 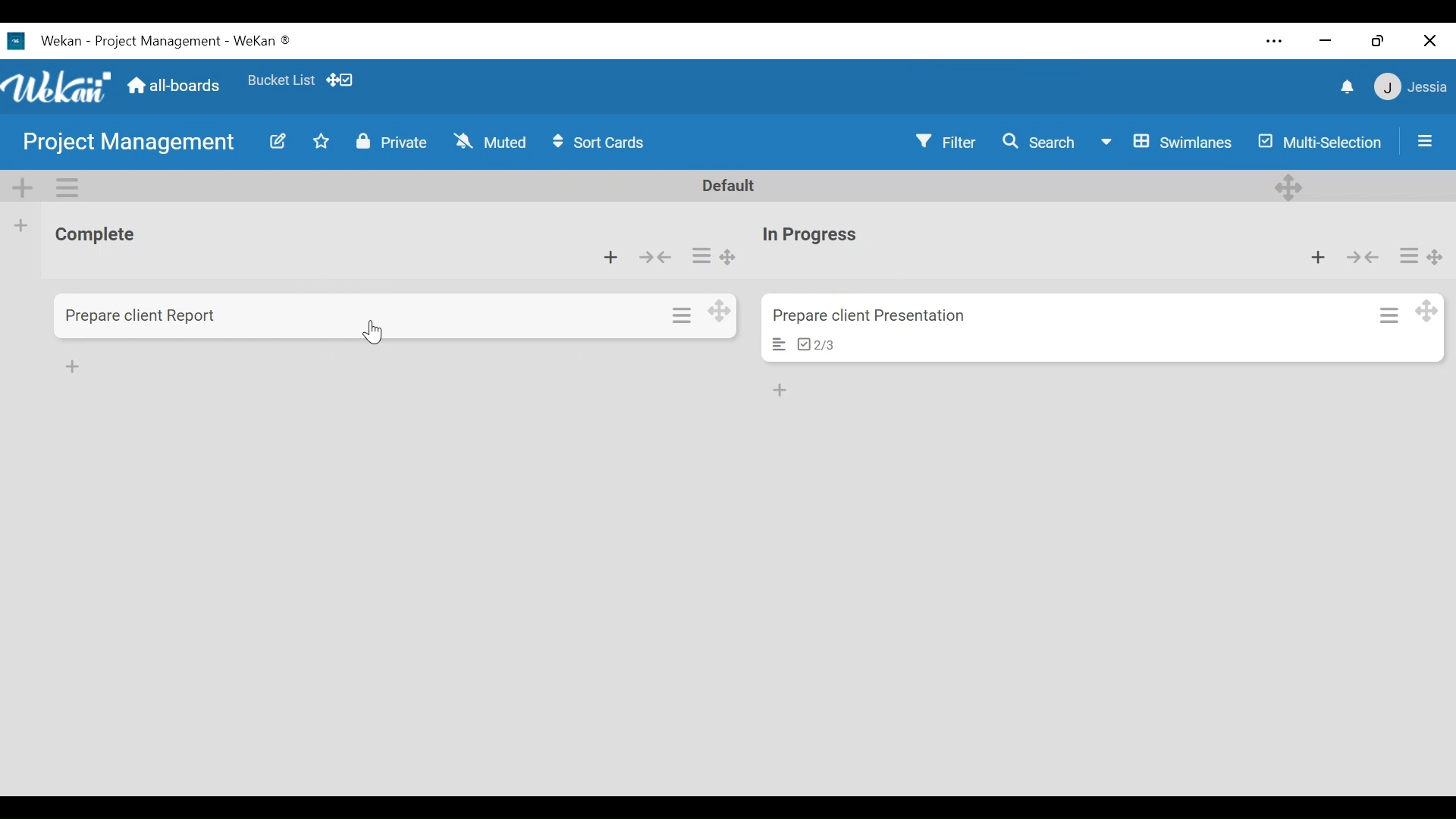 I want to click on Settings and more, so click(x=1276, y=42).